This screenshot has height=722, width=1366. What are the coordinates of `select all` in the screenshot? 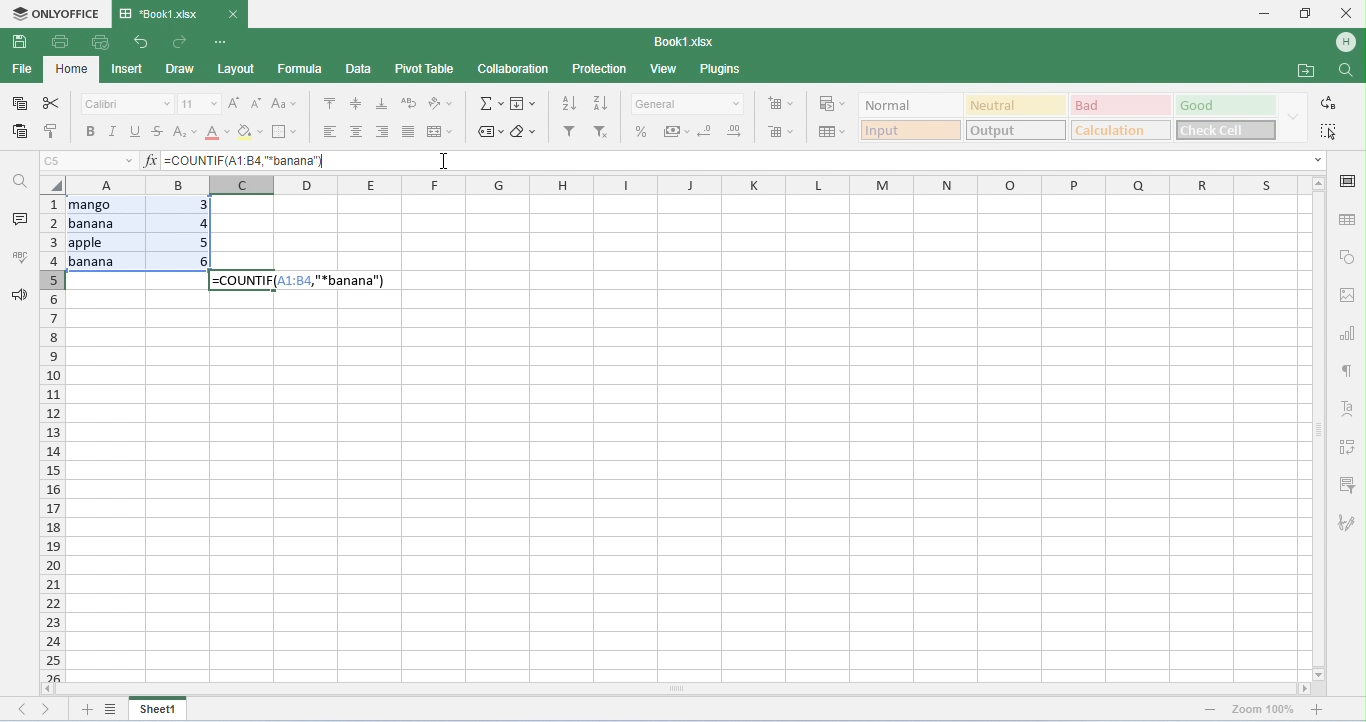 It's located at (1331, 132).